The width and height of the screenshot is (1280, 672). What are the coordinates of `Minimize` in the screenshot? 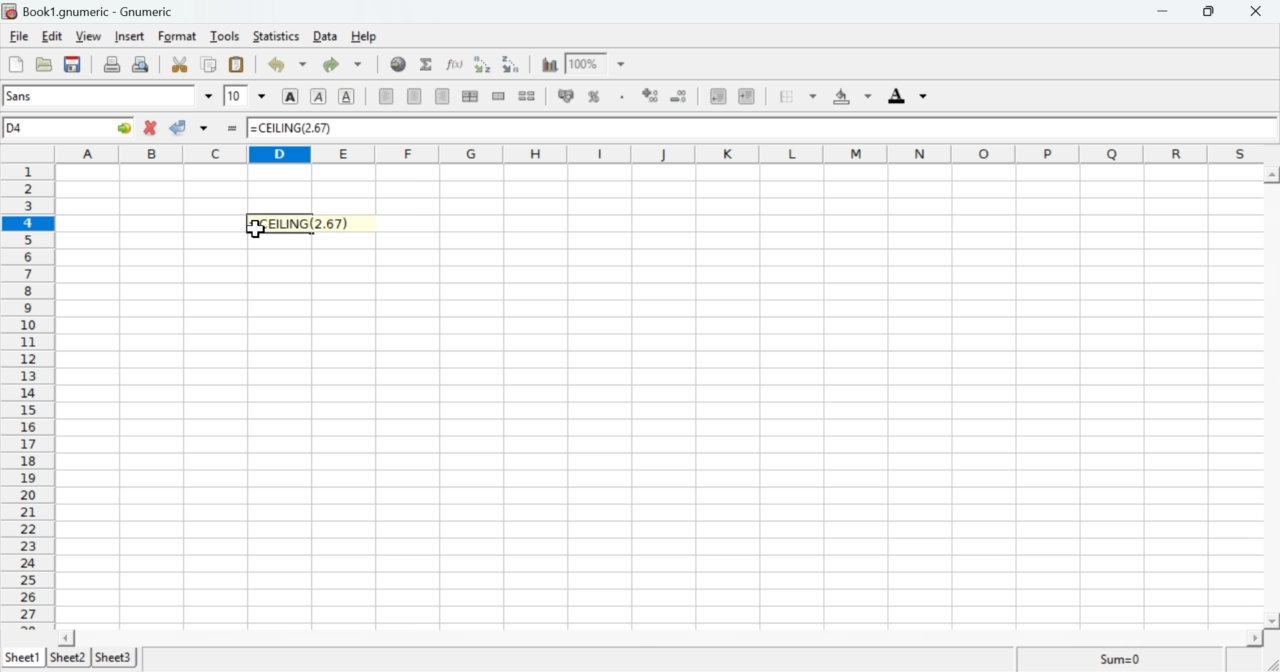 It's located at (1167, 12).